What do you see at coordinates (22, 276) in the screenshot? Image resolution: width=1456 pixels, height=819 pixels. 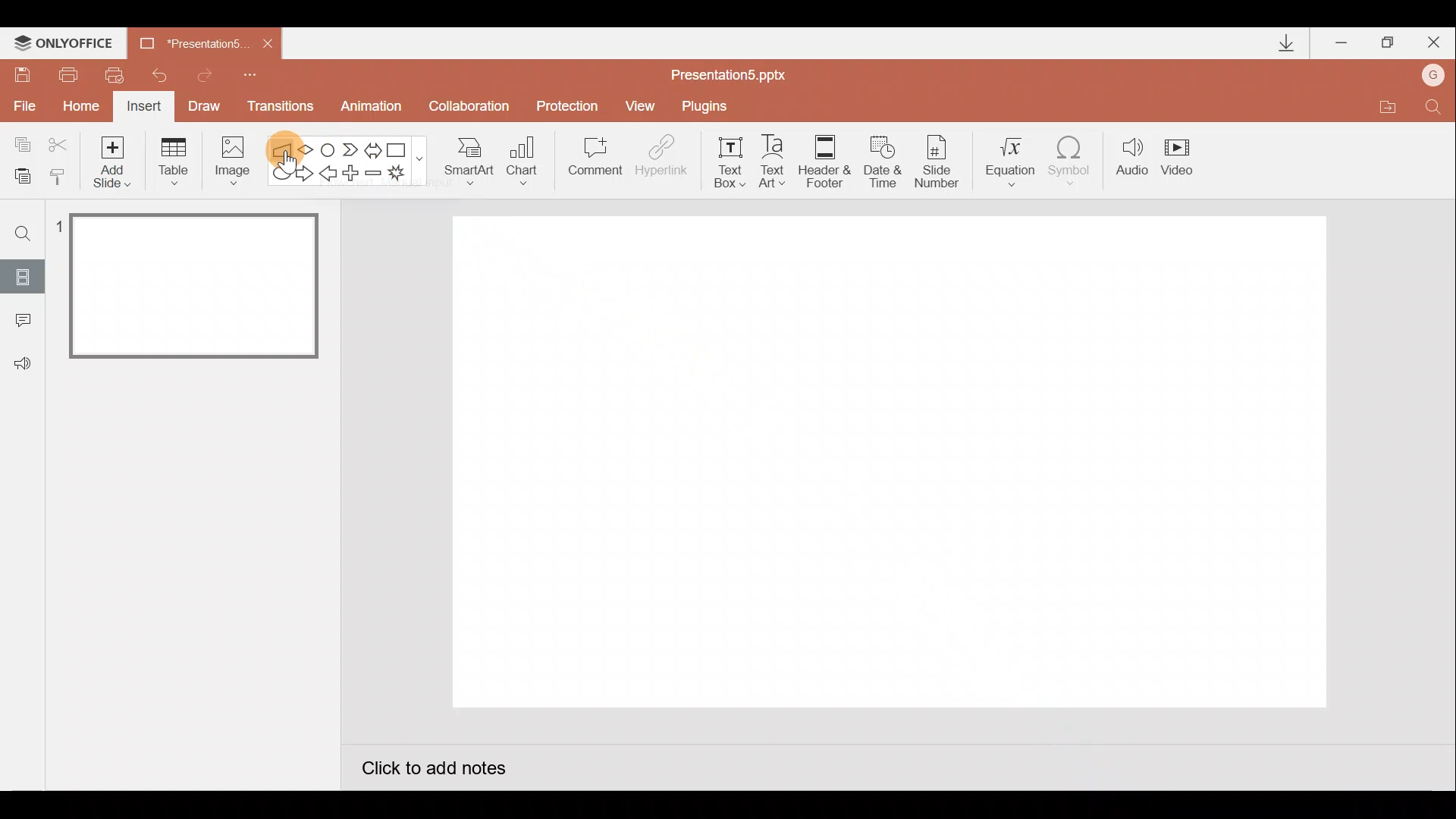 I see `Slides` at bounding box center [22, 276].